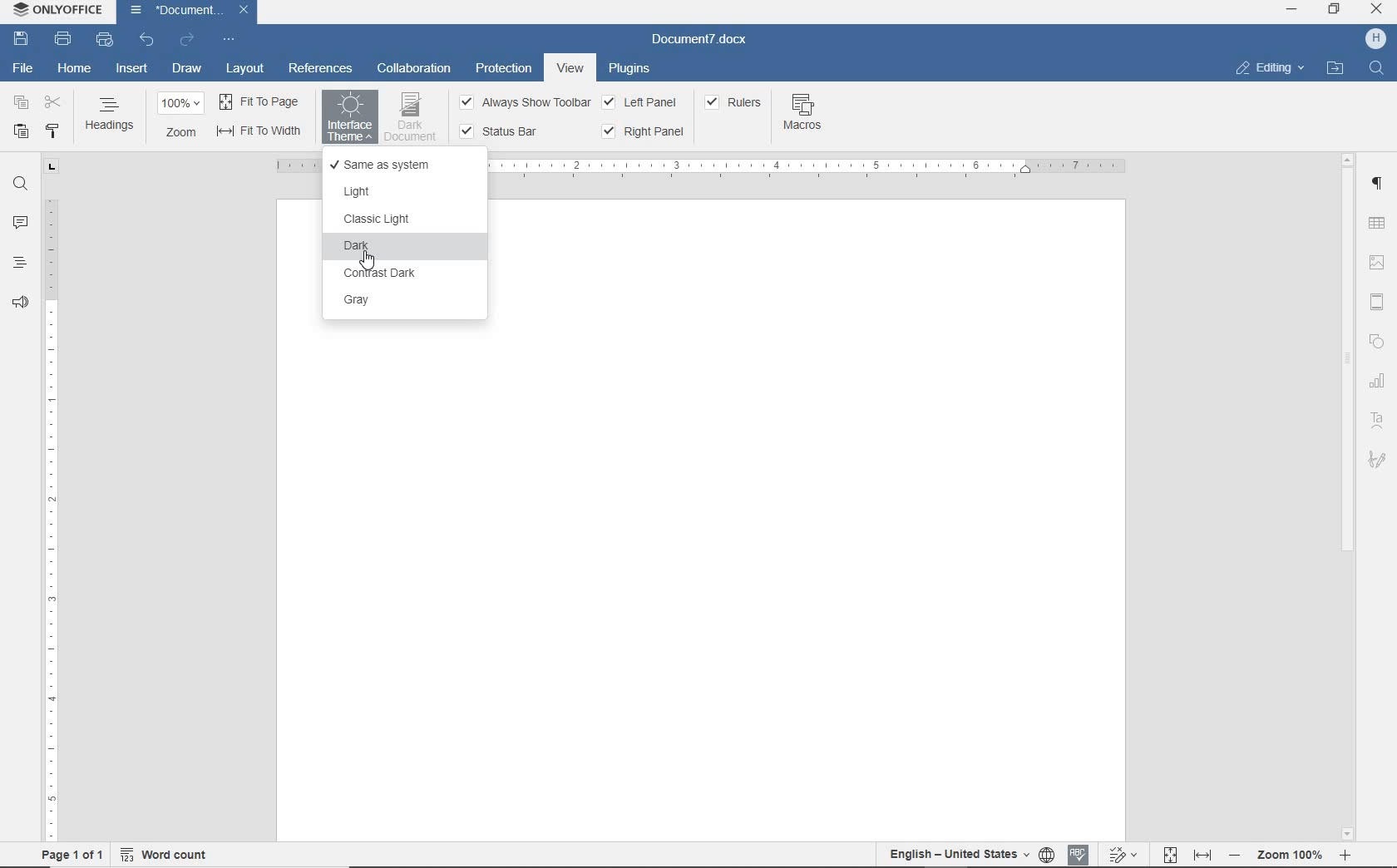 This screenshot has width=1397, height=868. I want to click on REFERENCES, so click(321, 67).